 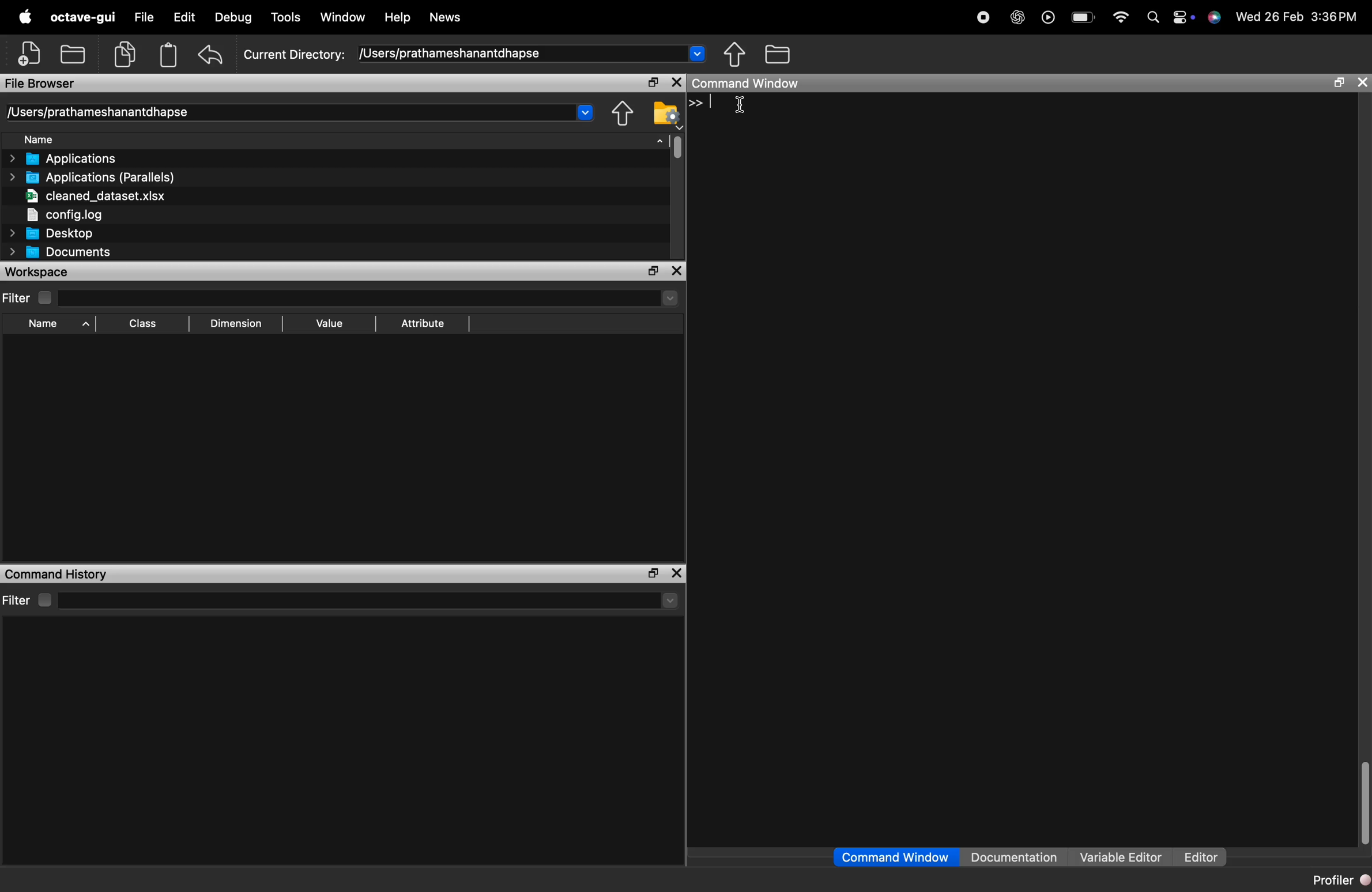 I want to click on Current Directory:, so click(x=295, y=56).